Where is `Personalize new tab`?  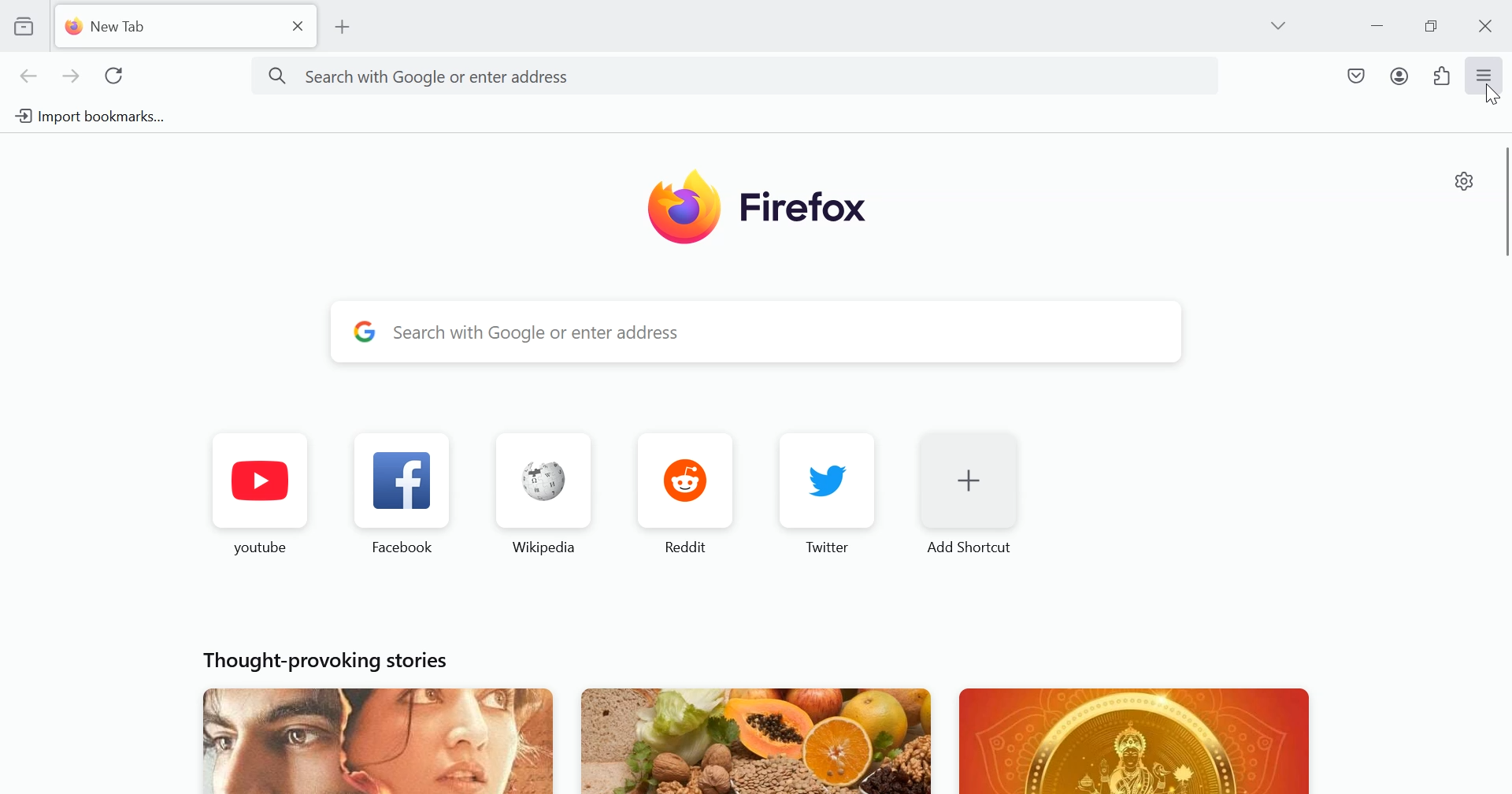
Personalize new tab is located at coordinates (1464, 180).